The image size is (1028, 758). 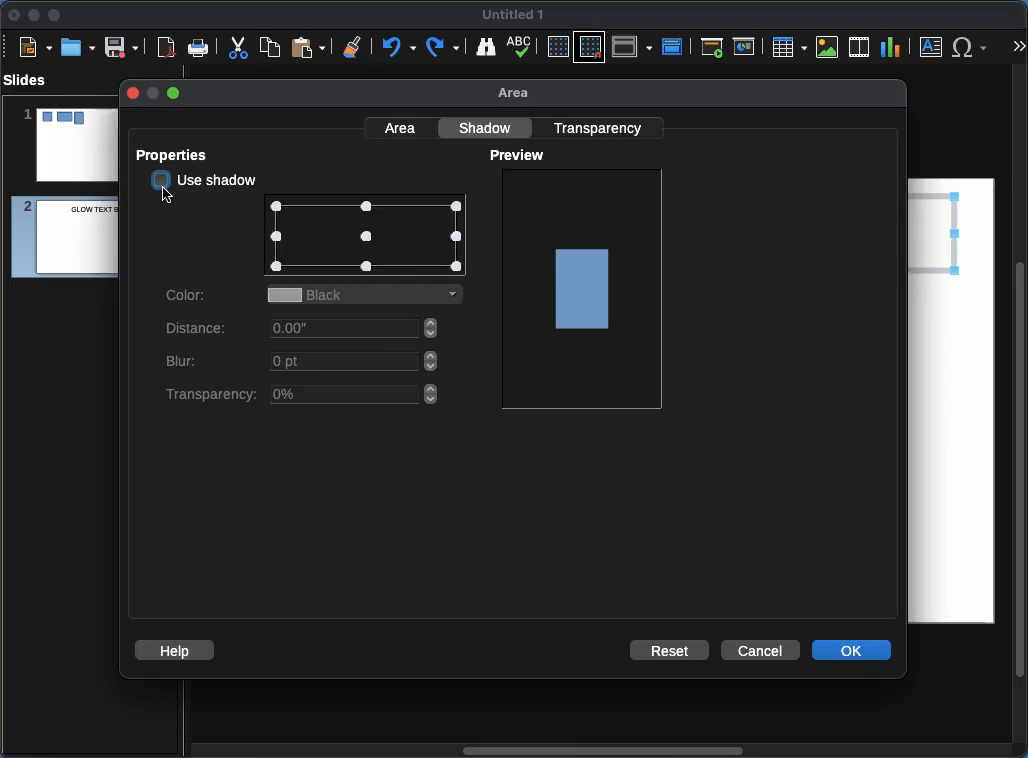 What do you see at coordinates (514, 15) in the screenshot?
I see `Name` at bounding box center [514, 15].